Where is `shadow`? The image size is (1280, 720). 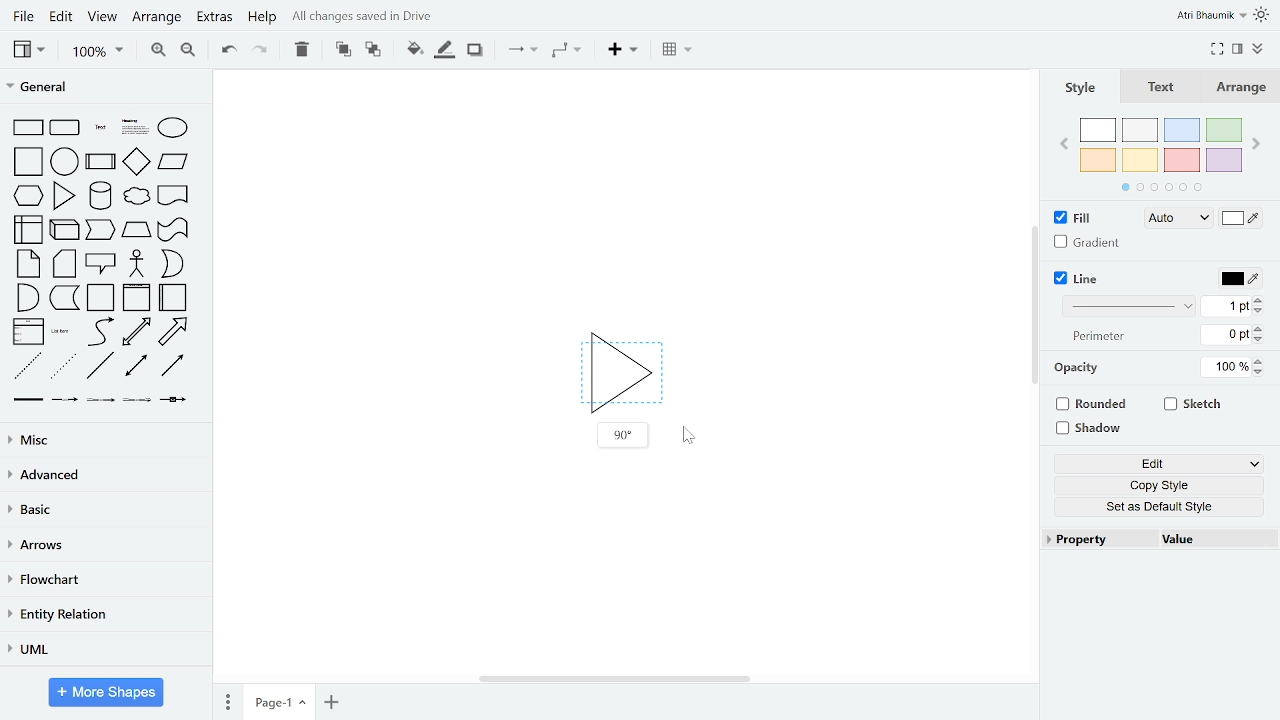 shadow is located at coordinates (1091, 427).